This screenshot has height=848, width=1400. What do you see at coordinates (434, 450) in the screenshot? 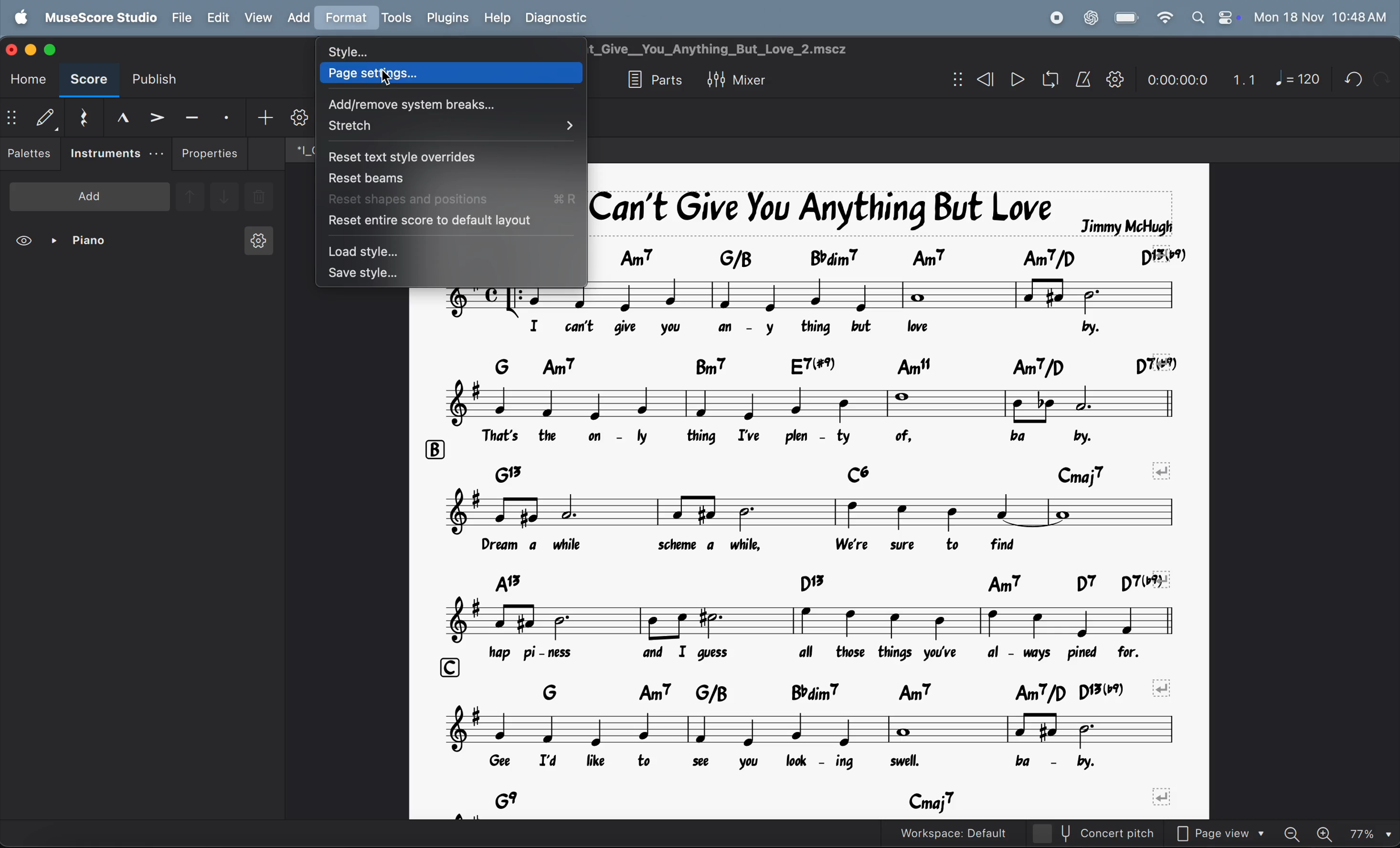
I see `rows` at bounding box center [434, 450].